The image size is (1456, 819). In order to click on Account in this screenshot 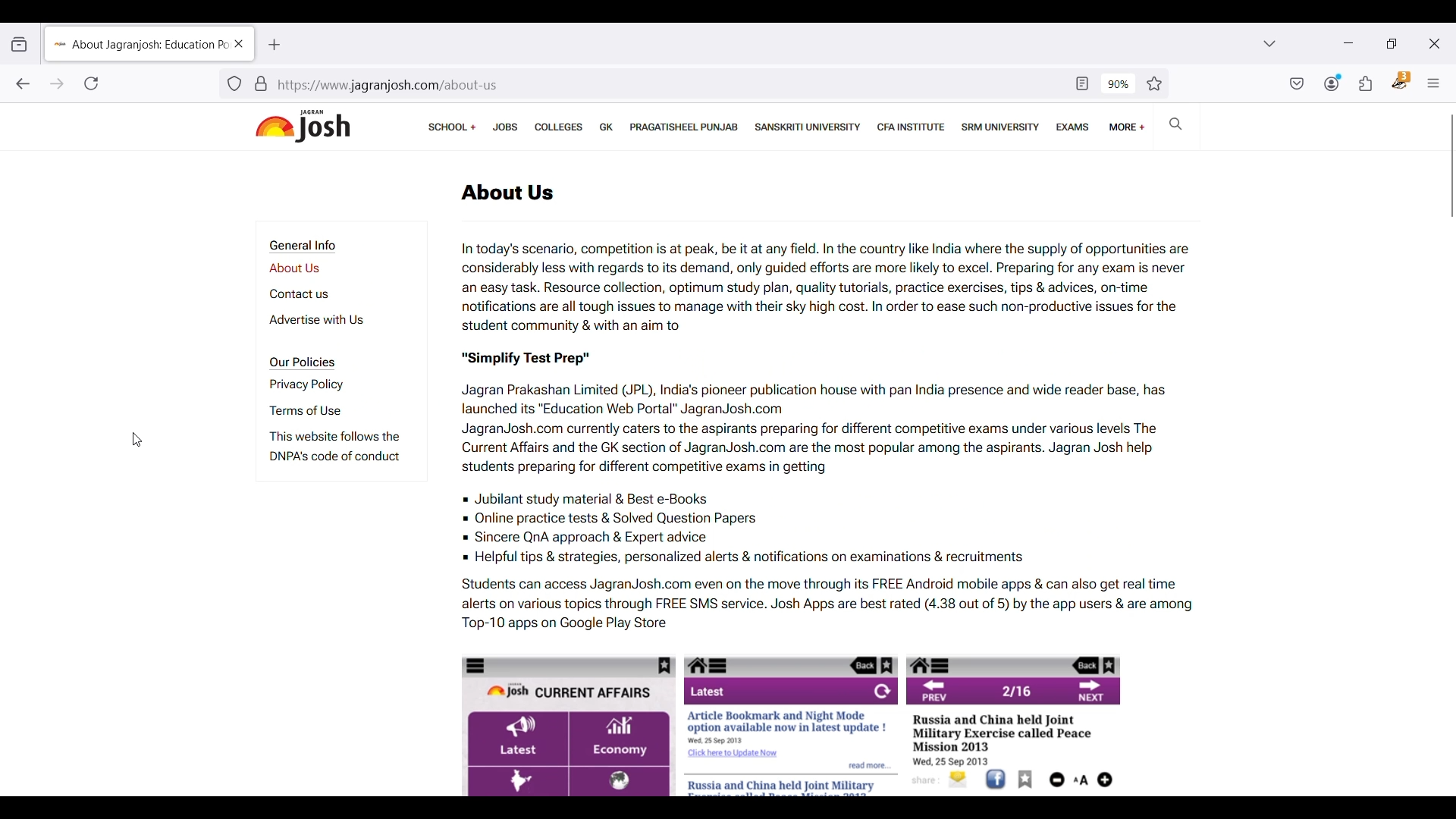, I will do `click(1333, 83)`.